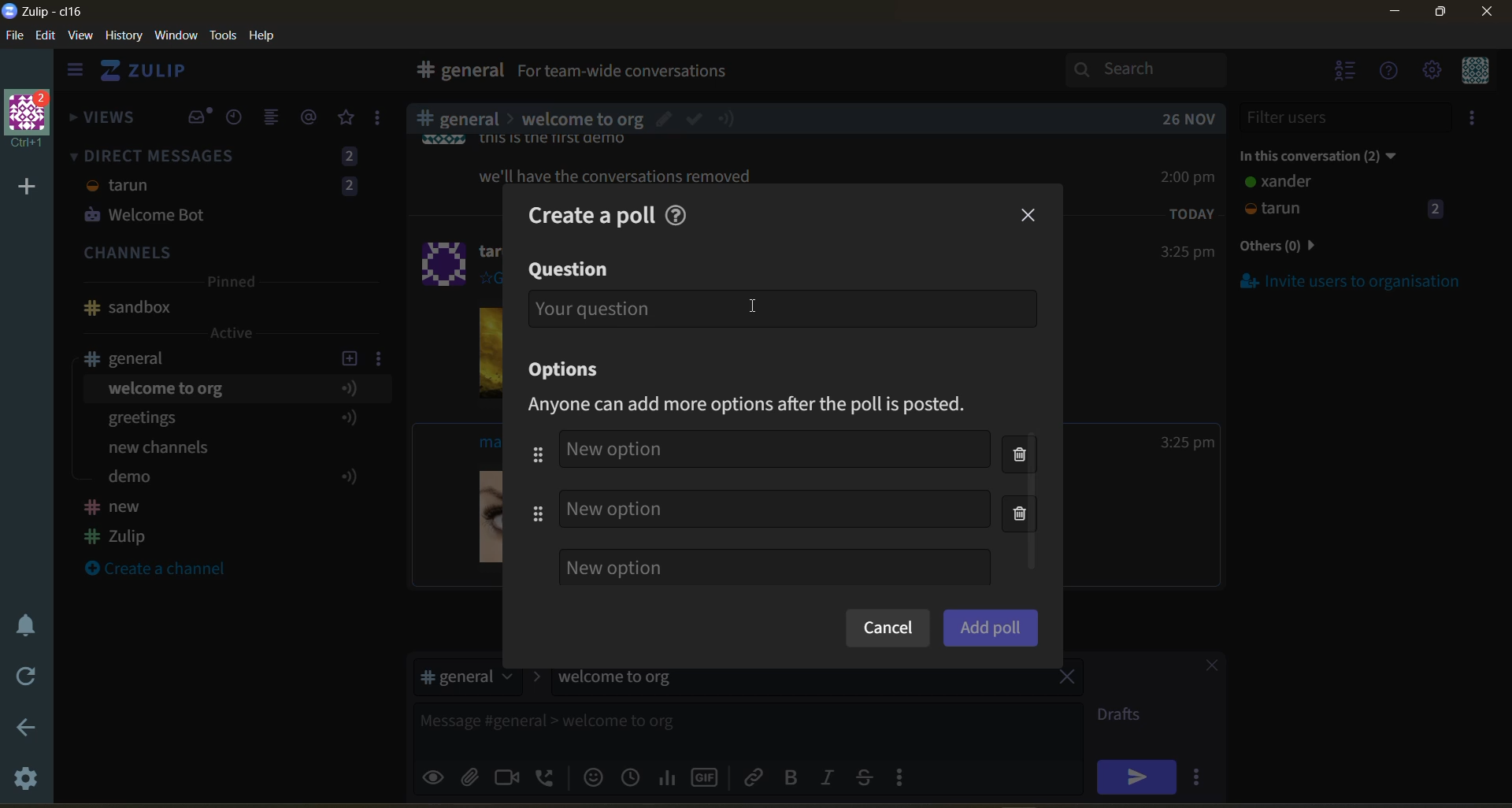  What do you see at coordinates (696, 73) in the screenshot?
I see `Overview of your conversations with unread messages` at bounding box center [696, 73].